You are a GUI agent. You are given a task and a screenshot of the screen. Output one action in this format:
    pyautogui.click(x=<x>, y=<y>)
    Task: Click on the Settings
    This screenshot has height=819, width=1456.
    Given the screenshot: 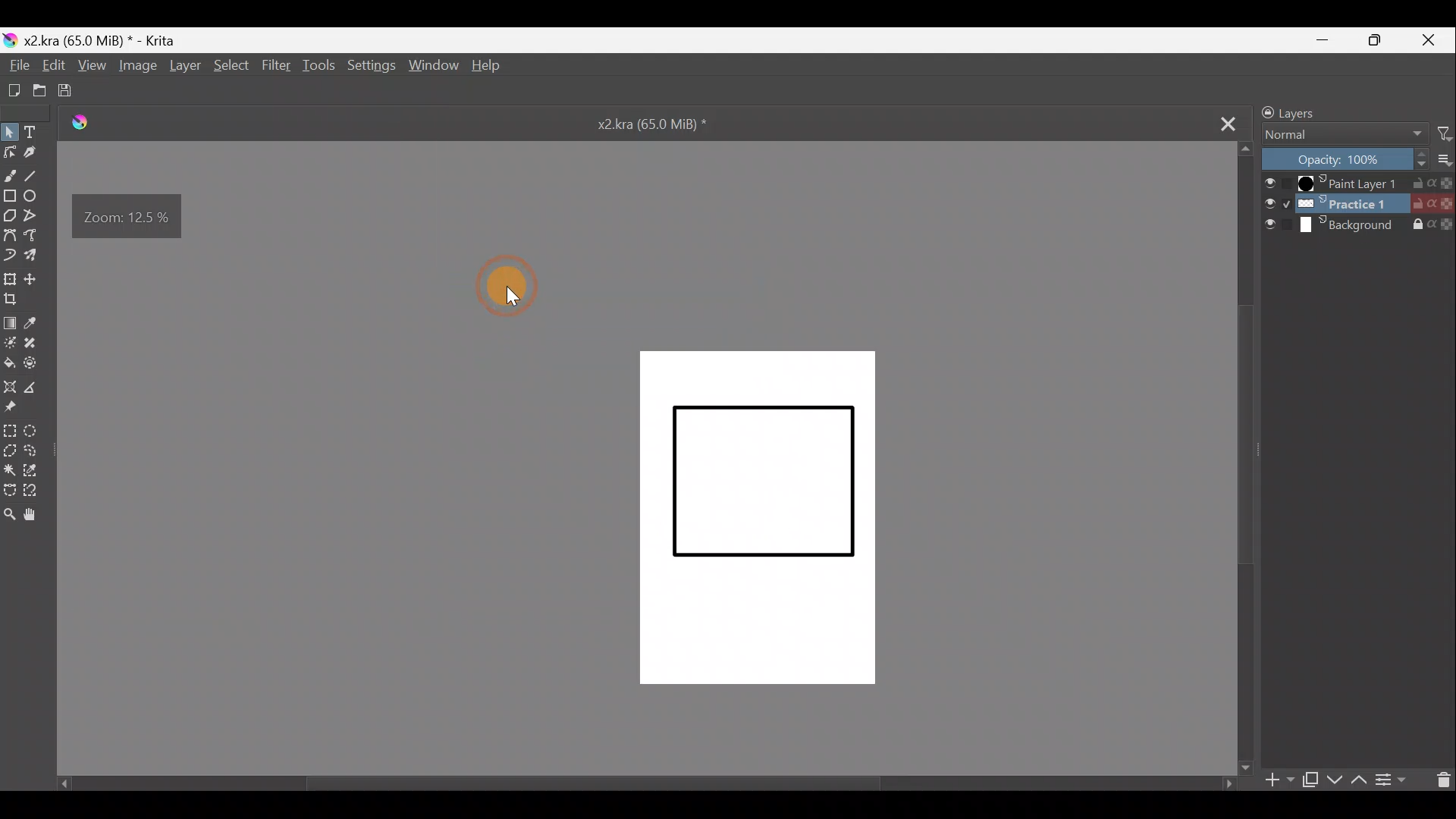 What is the action you would take?
    pyautogui.click(x=369, y=68)
    